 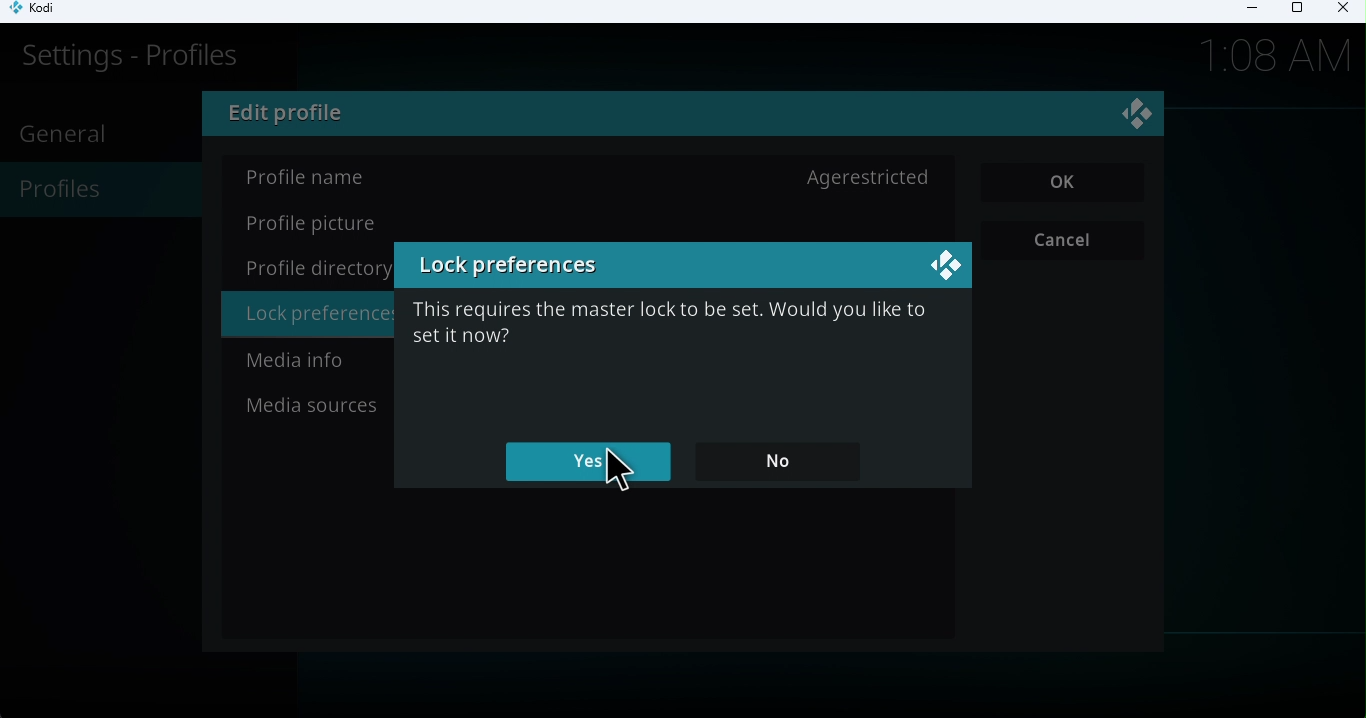 What do you see at coordinates (666, 333) in the screenshot?
I see `Note` at bounding box center [666, 333].